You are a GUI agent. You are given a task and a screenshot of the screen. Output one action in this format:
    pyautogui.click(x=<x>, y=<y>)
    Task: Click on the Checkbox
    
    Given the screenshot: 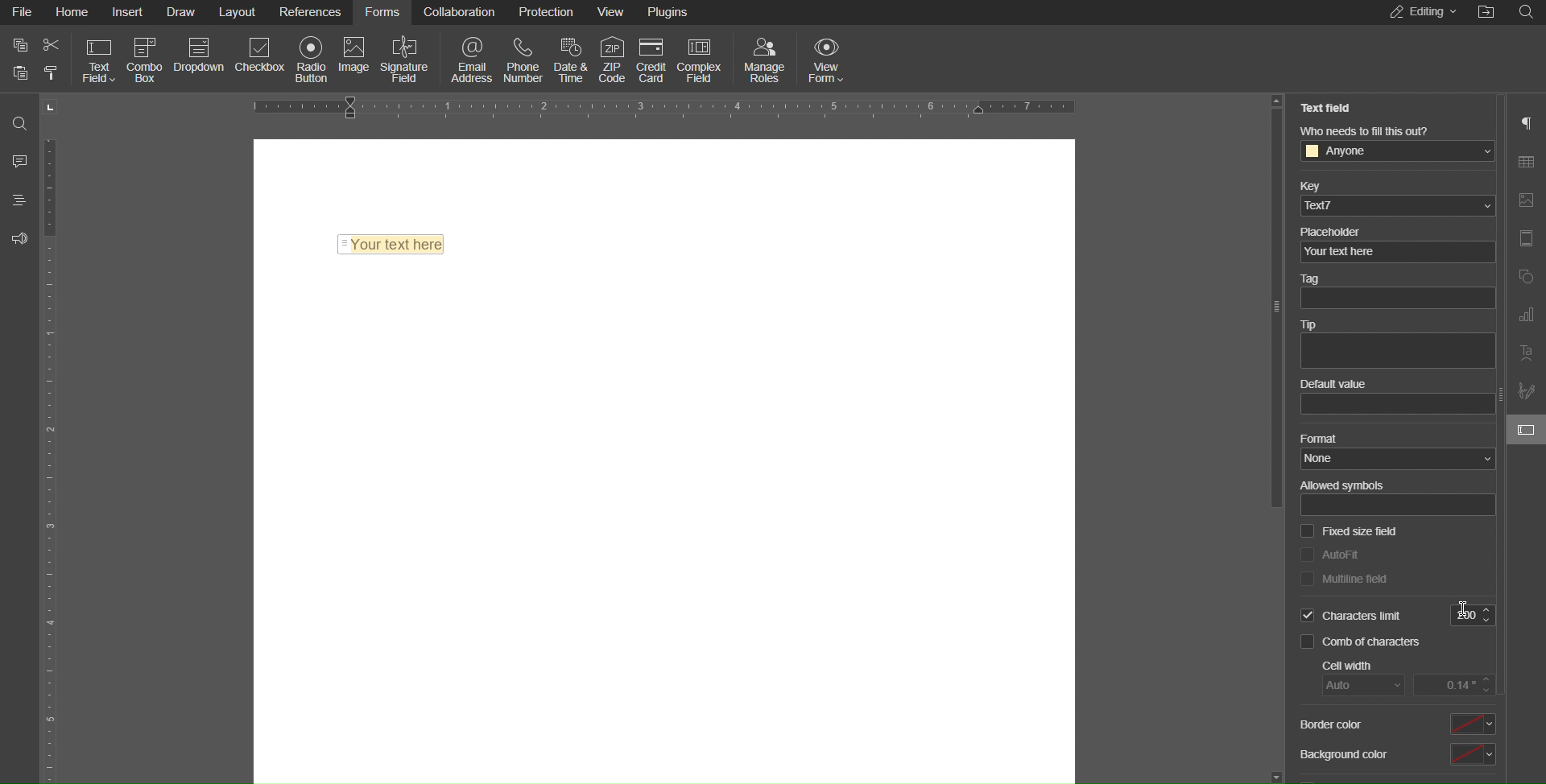 What is the action you would take?
    pyautogui.click(x=264, y=58)
    